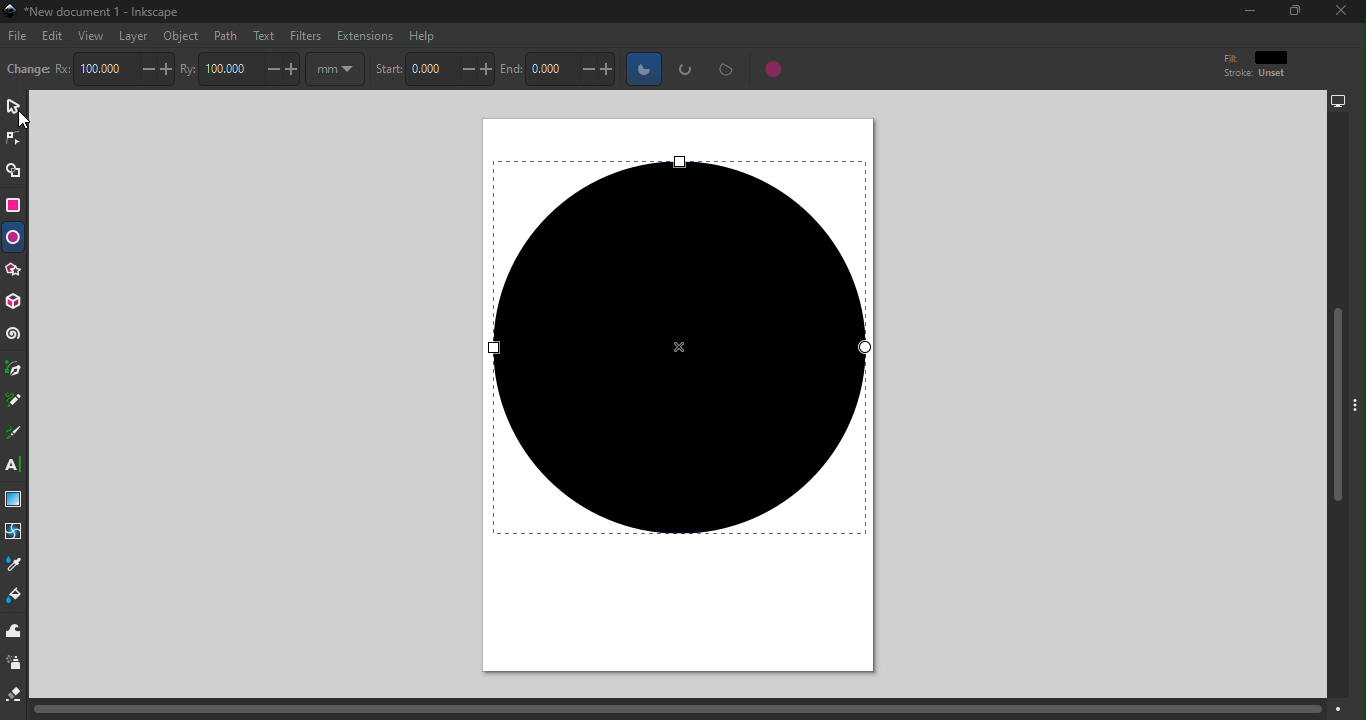 Image resolution: width=1366 pixels, height=720 pixels. What do you see at coordinates (15, 596) in the screenshot?
I see `Paint bucket` at bounding box center [15, 596].